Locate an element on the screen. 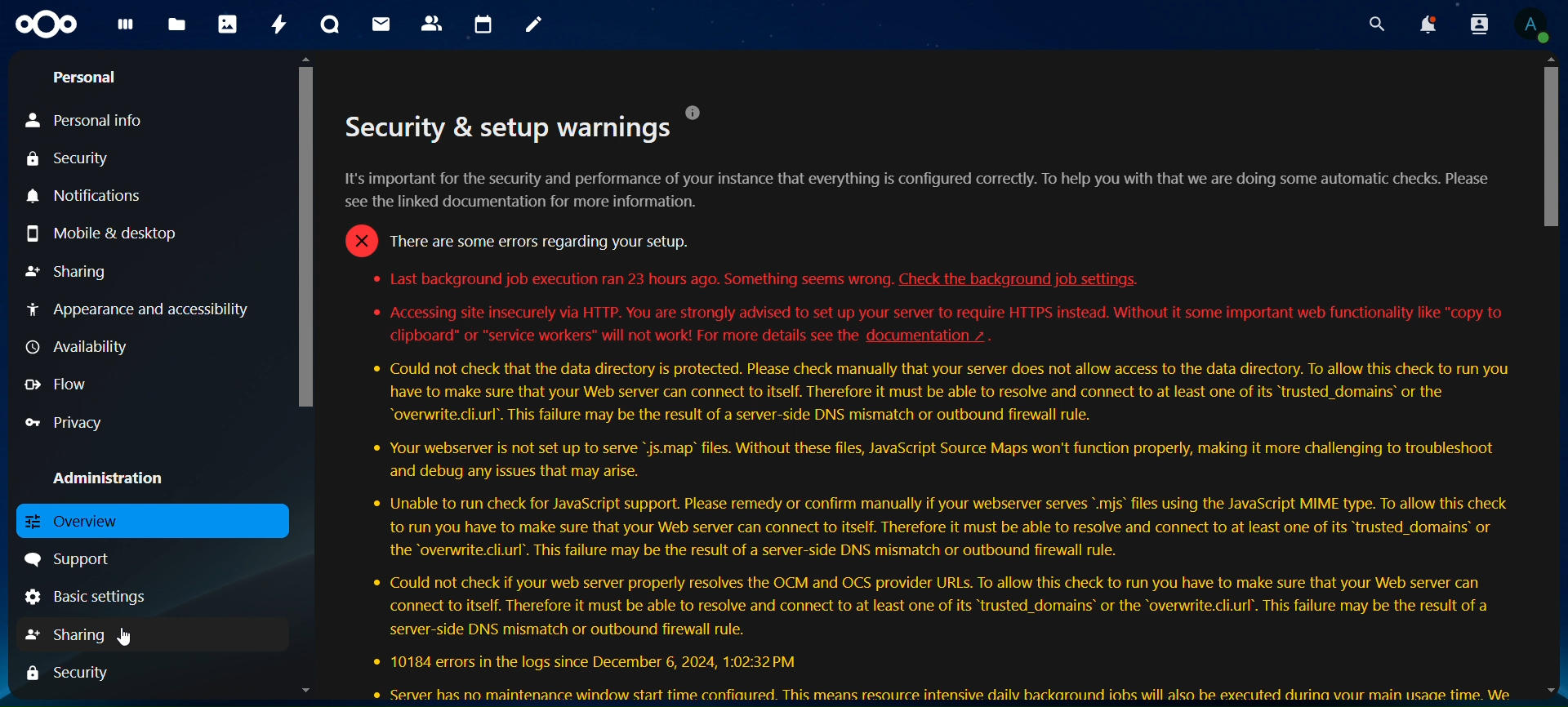  personal info is located at coordinates (90, 121).